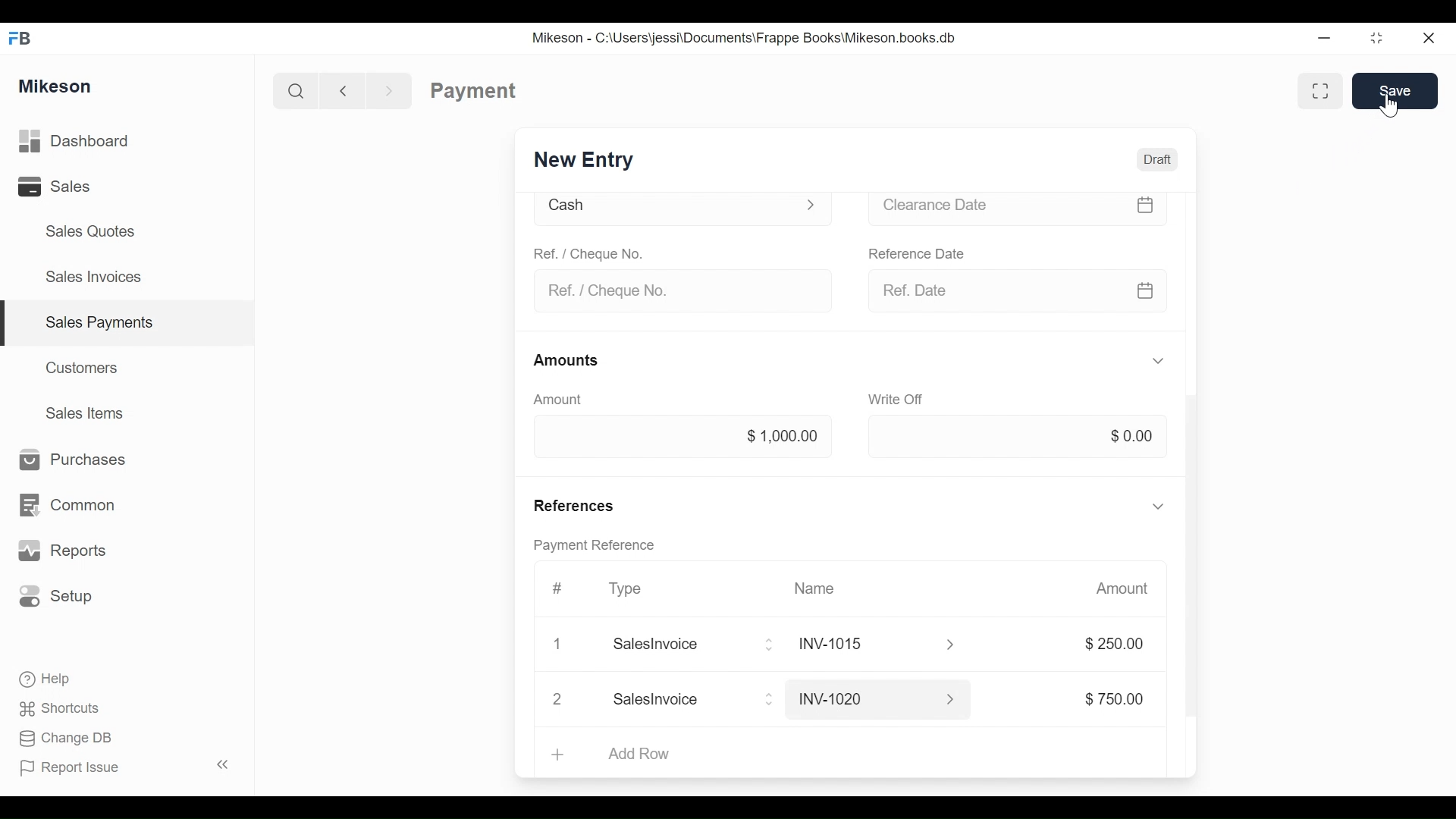 The image size is (1456, 819). Describe the element at coordinates (1022, 293) in the screenshot. I see `Ref date` at that location.